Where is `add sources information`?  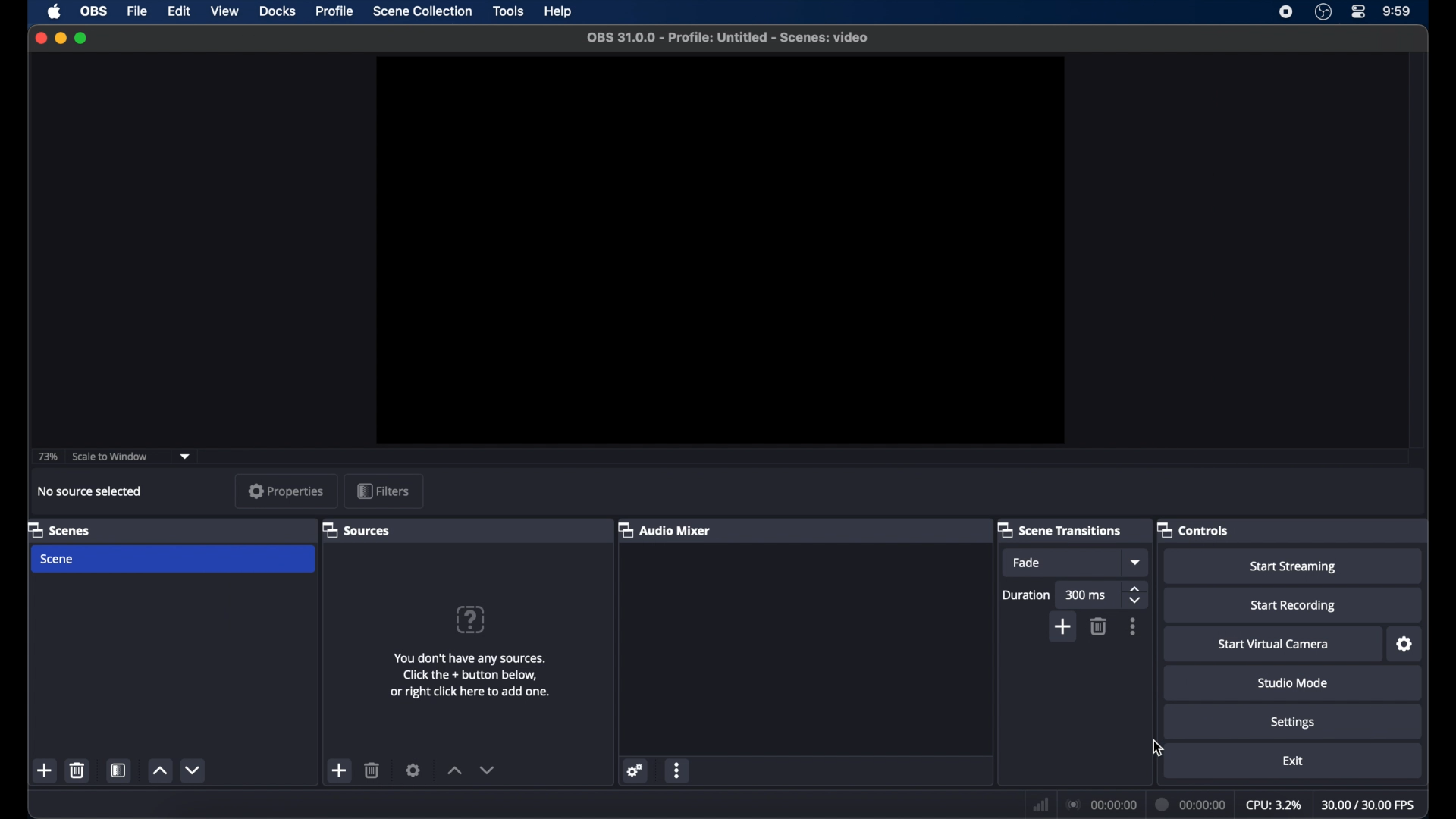 add sources information is located at coordinates (472, 675).